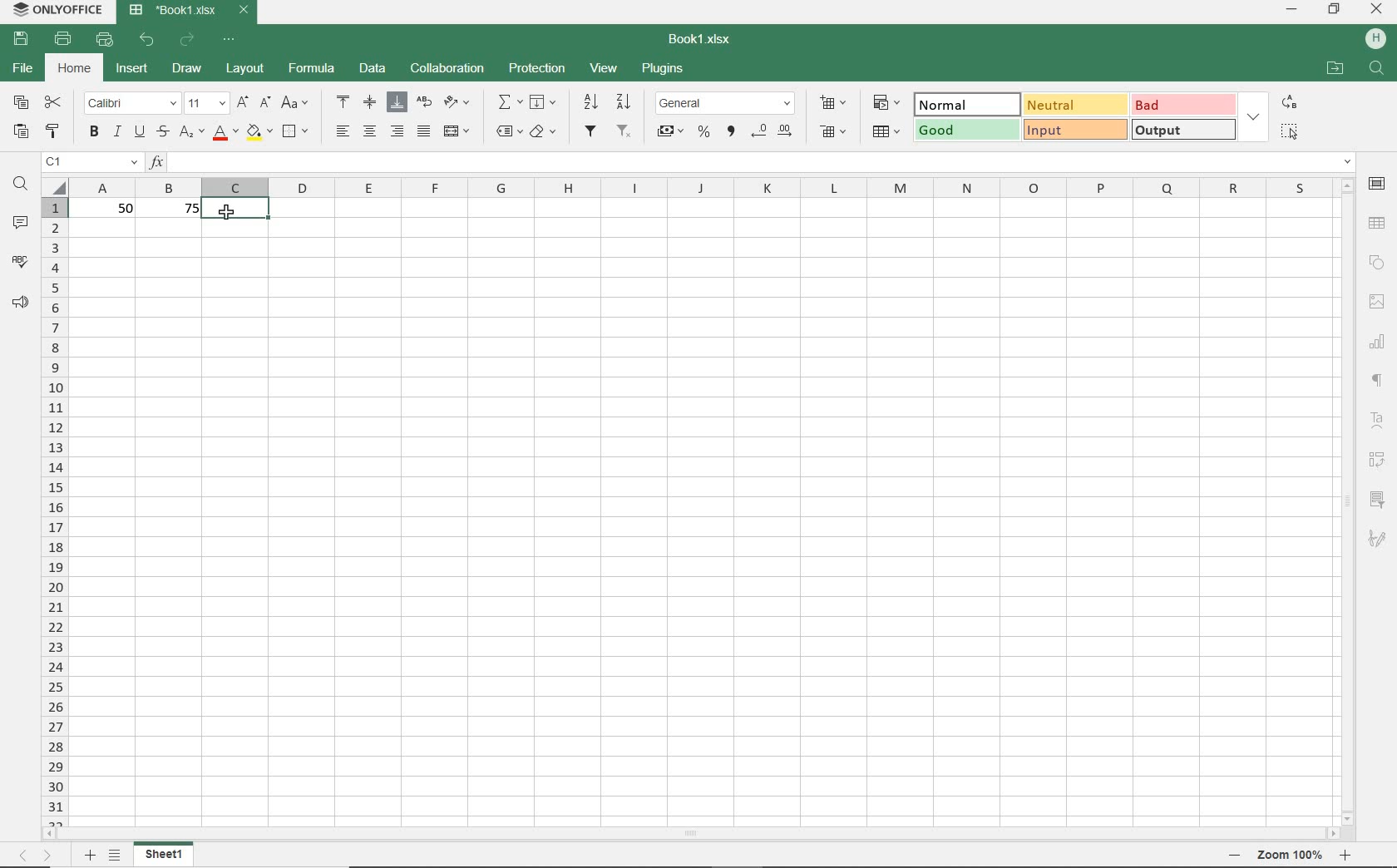 This screenshot has height=868, width=1397. Describe the element at coordinates (1074, 116) in the screenshot. I see `Data & Model` at that location.